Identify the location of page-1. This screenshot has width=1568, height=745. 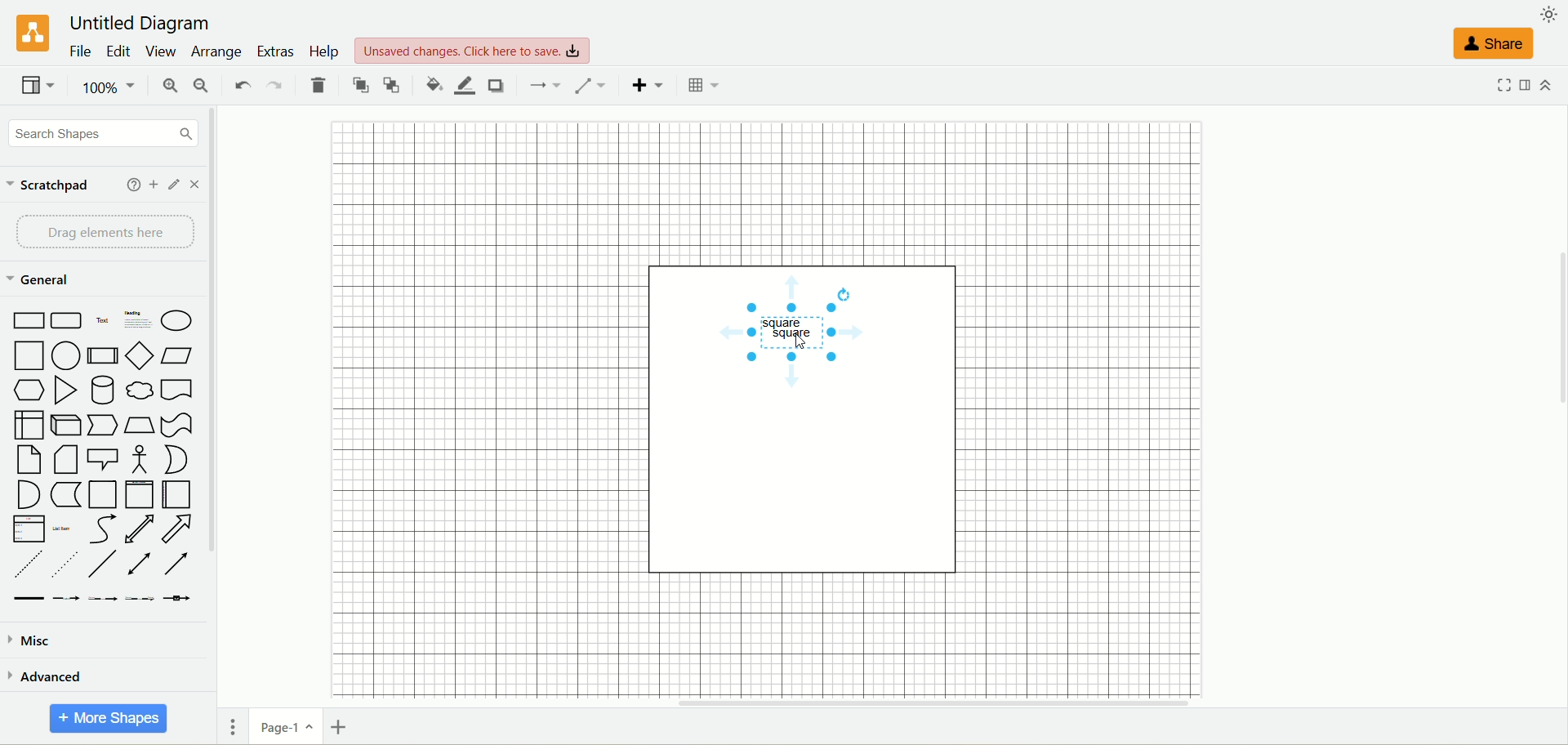
(286, 726).